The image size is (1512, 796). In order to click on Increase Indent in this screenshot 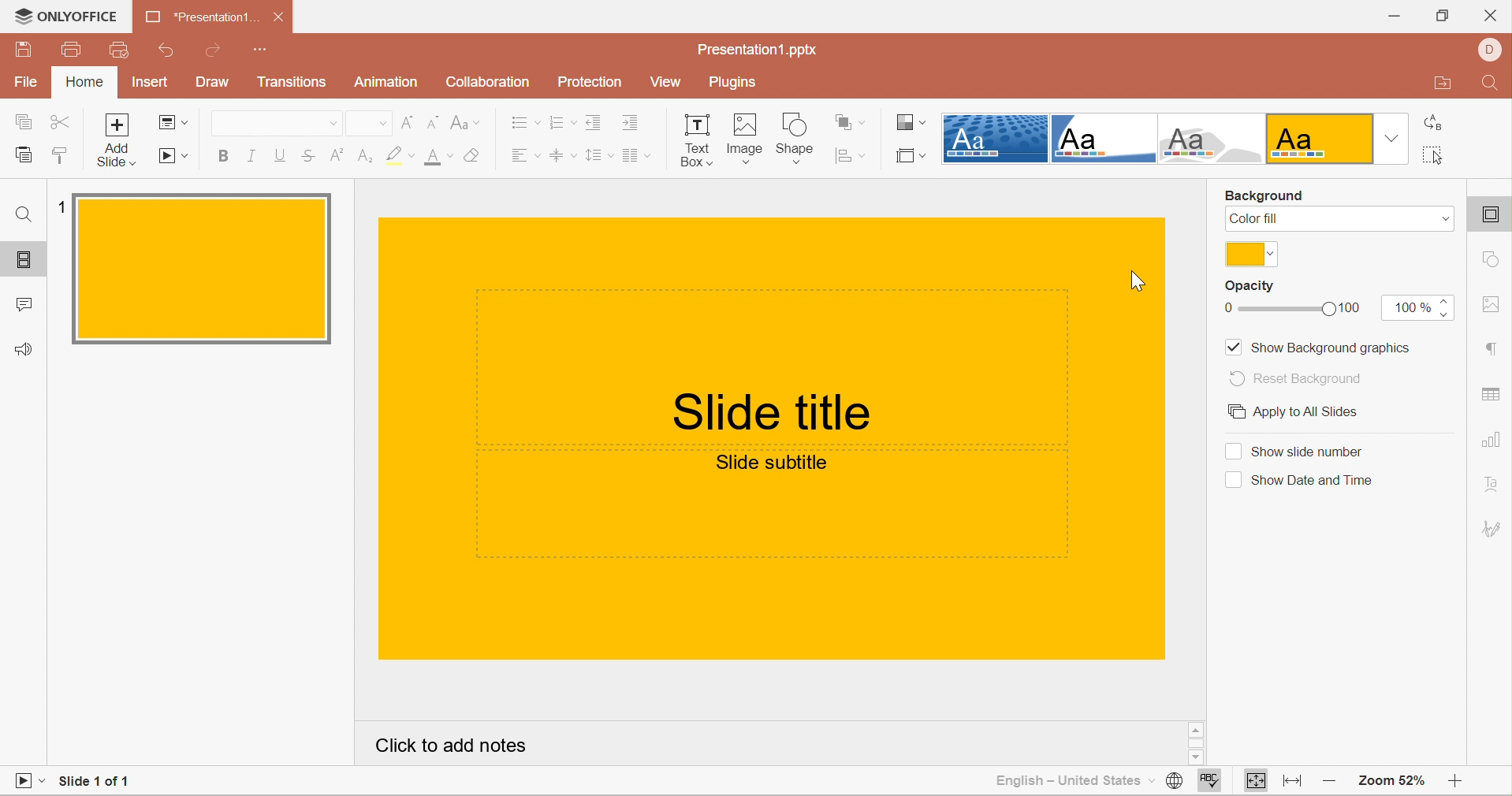, I will do `click(631, 124)`.